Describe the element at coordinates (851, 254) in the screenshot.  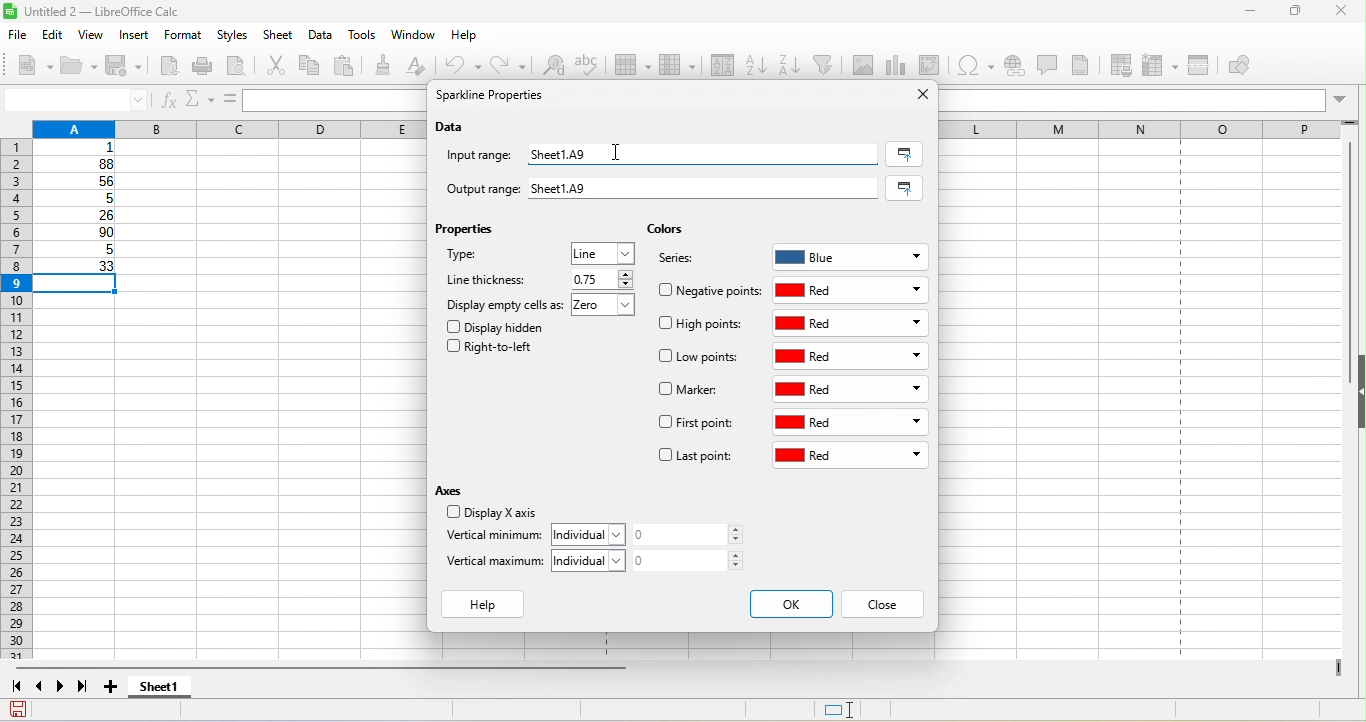
I see `blue` at that location.